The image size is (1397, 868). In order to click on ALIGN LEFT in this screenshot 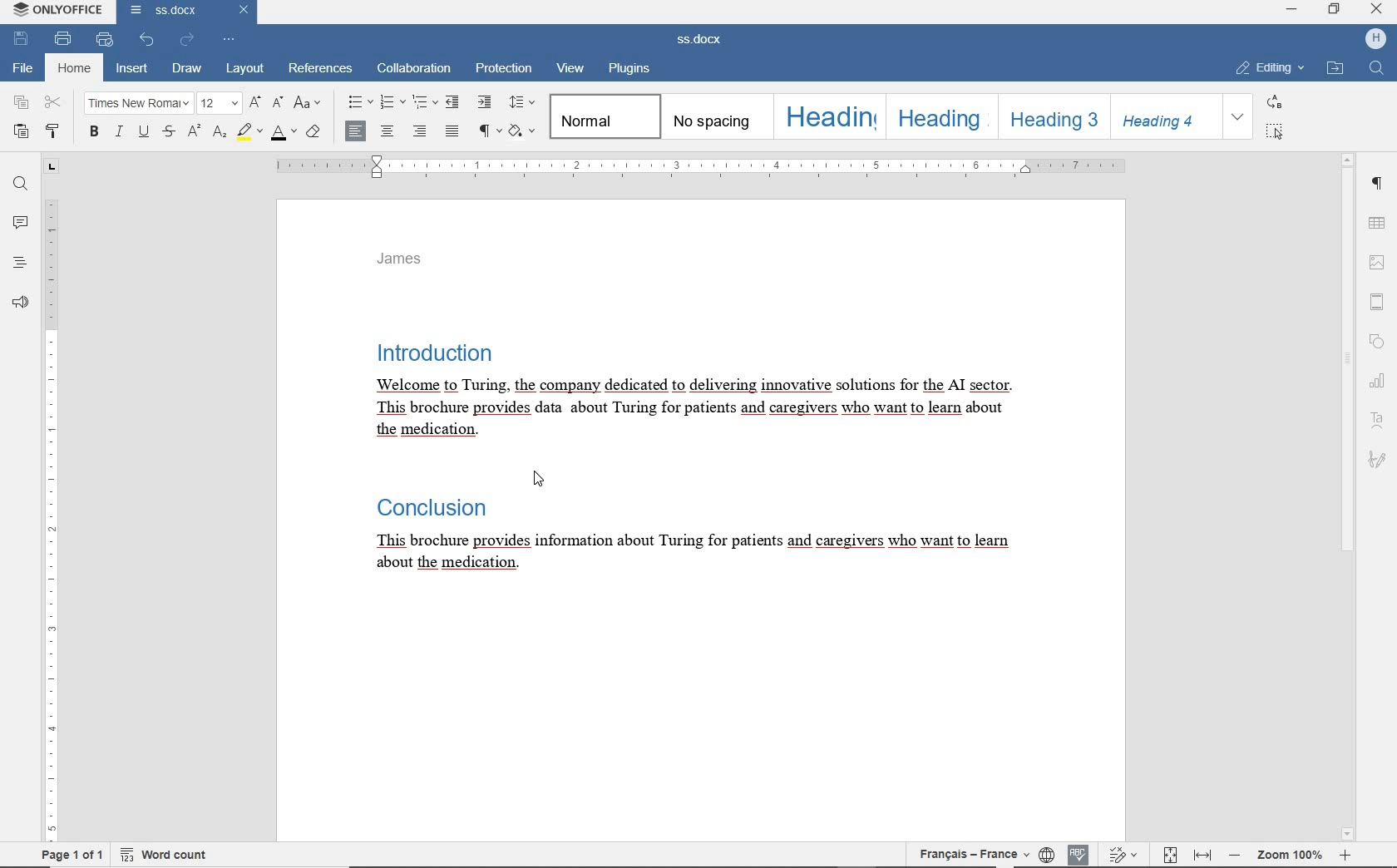, I will do `click(355, 131)`.